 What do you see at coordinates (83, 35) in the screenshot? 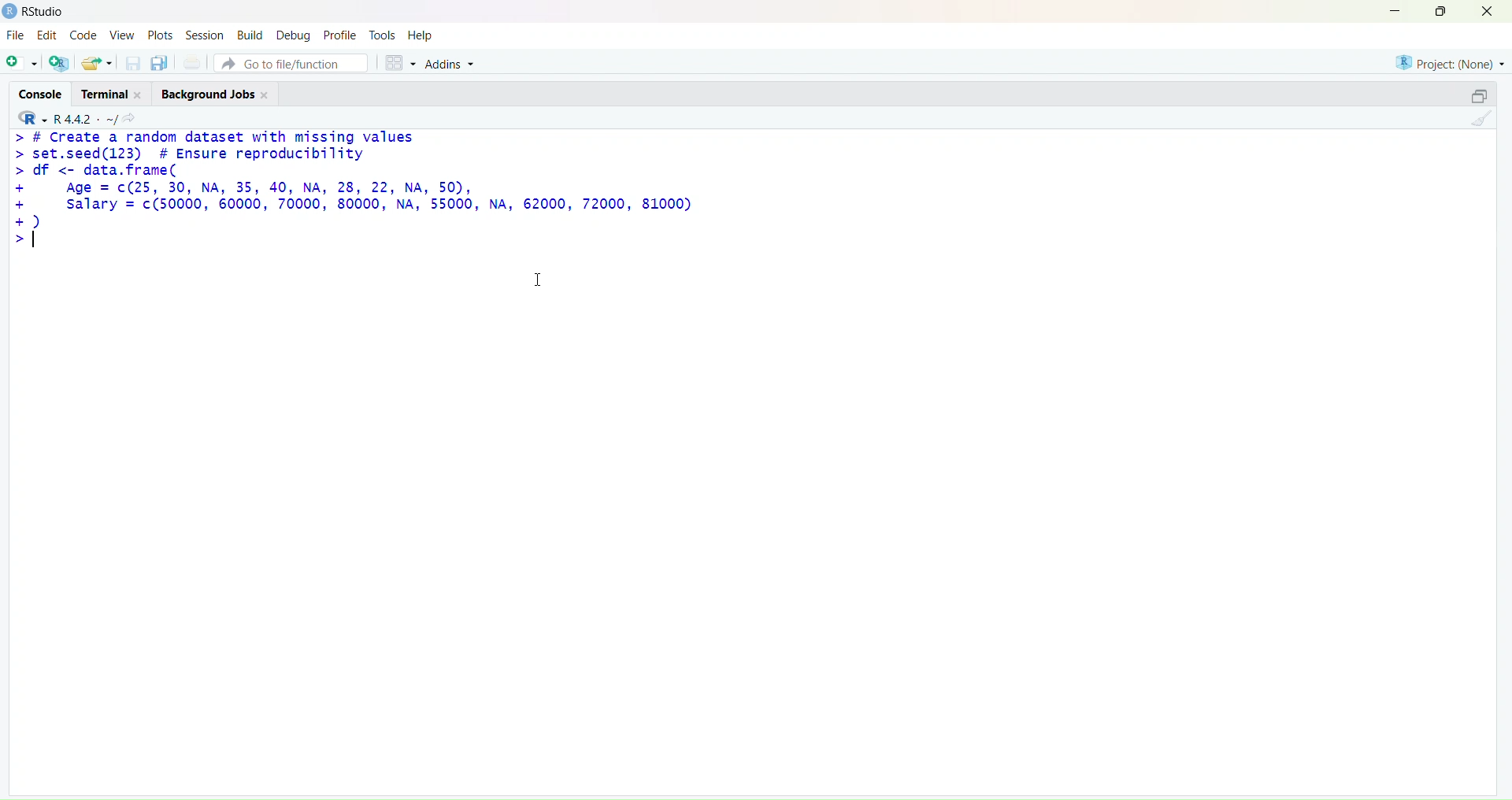
I see `code` at bounding box center [83, 35].